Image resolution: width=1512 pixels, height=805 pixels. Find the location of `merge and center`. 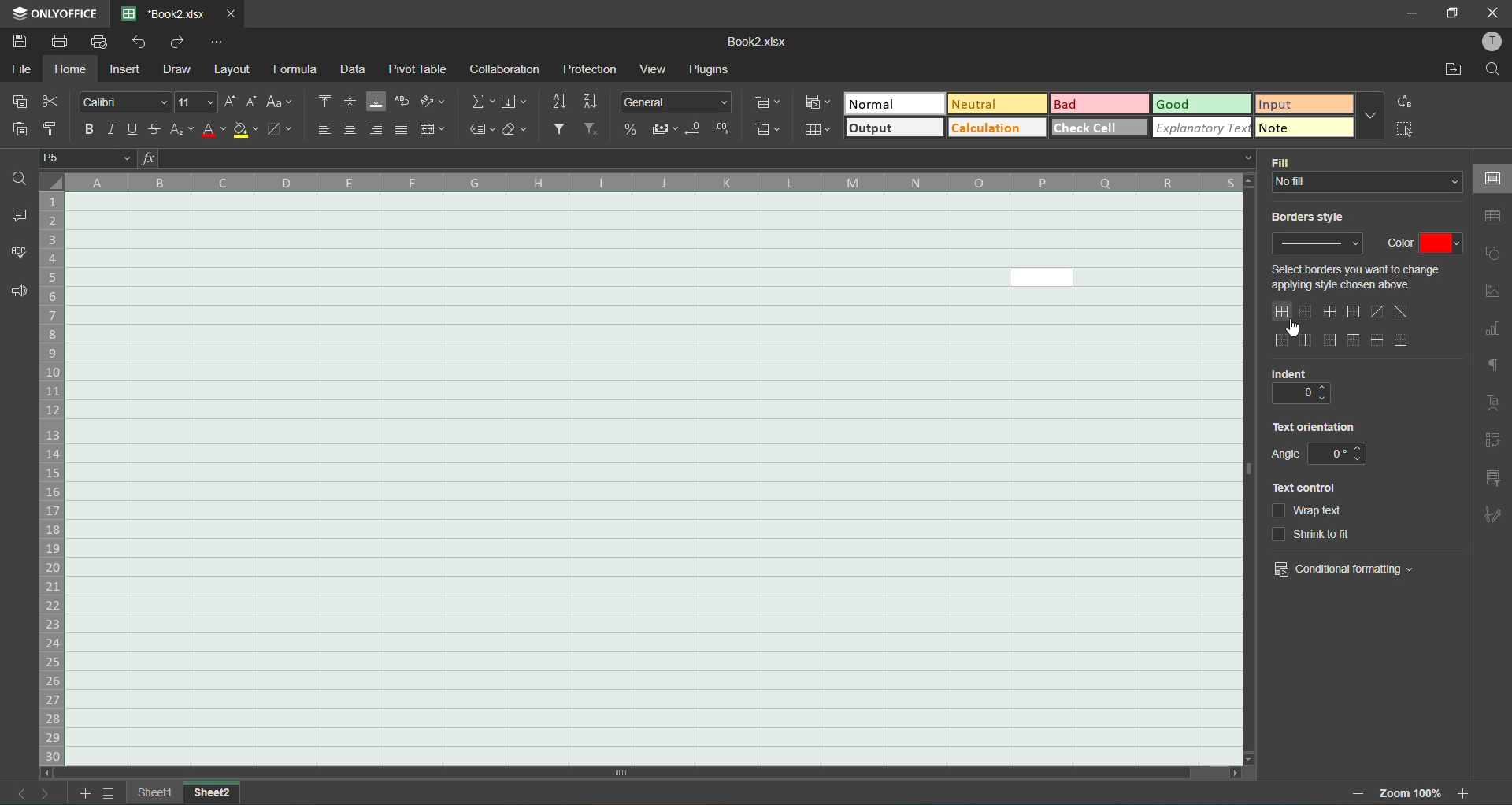

merge and center is located at coordinates (434, 130).